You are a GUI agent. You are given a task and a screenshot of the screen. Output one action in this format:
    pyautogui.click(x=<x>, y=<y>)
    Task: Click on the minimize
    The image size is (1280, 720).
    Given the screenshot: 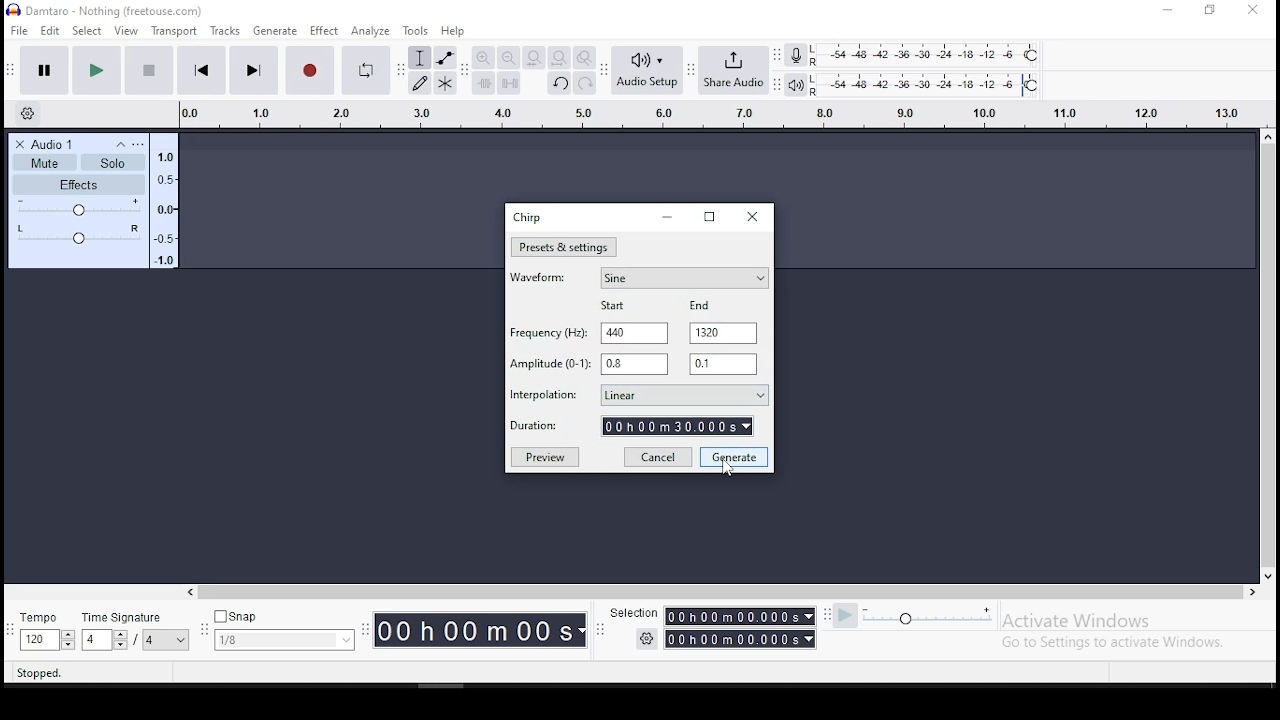 What is the action you would take?
    pyautogui.click(x=667, y=217)
    